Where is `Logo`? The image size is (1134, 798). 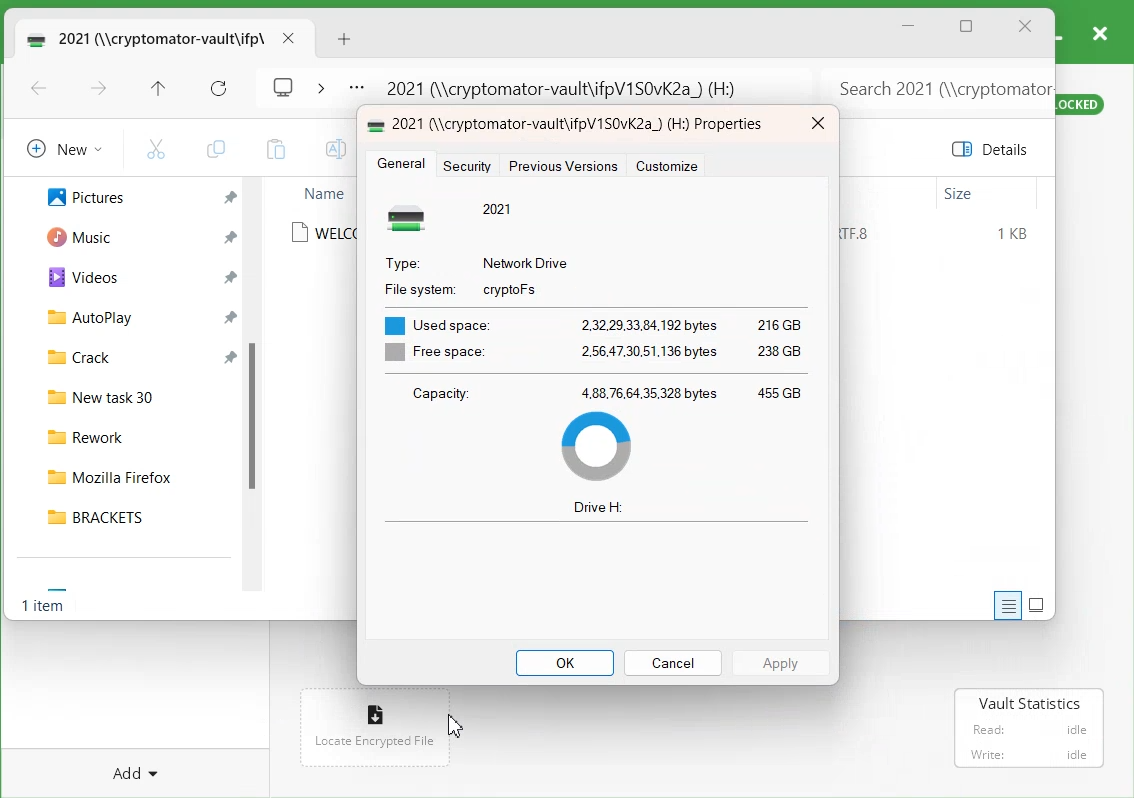
Logo is located at coordinates (284, 85).